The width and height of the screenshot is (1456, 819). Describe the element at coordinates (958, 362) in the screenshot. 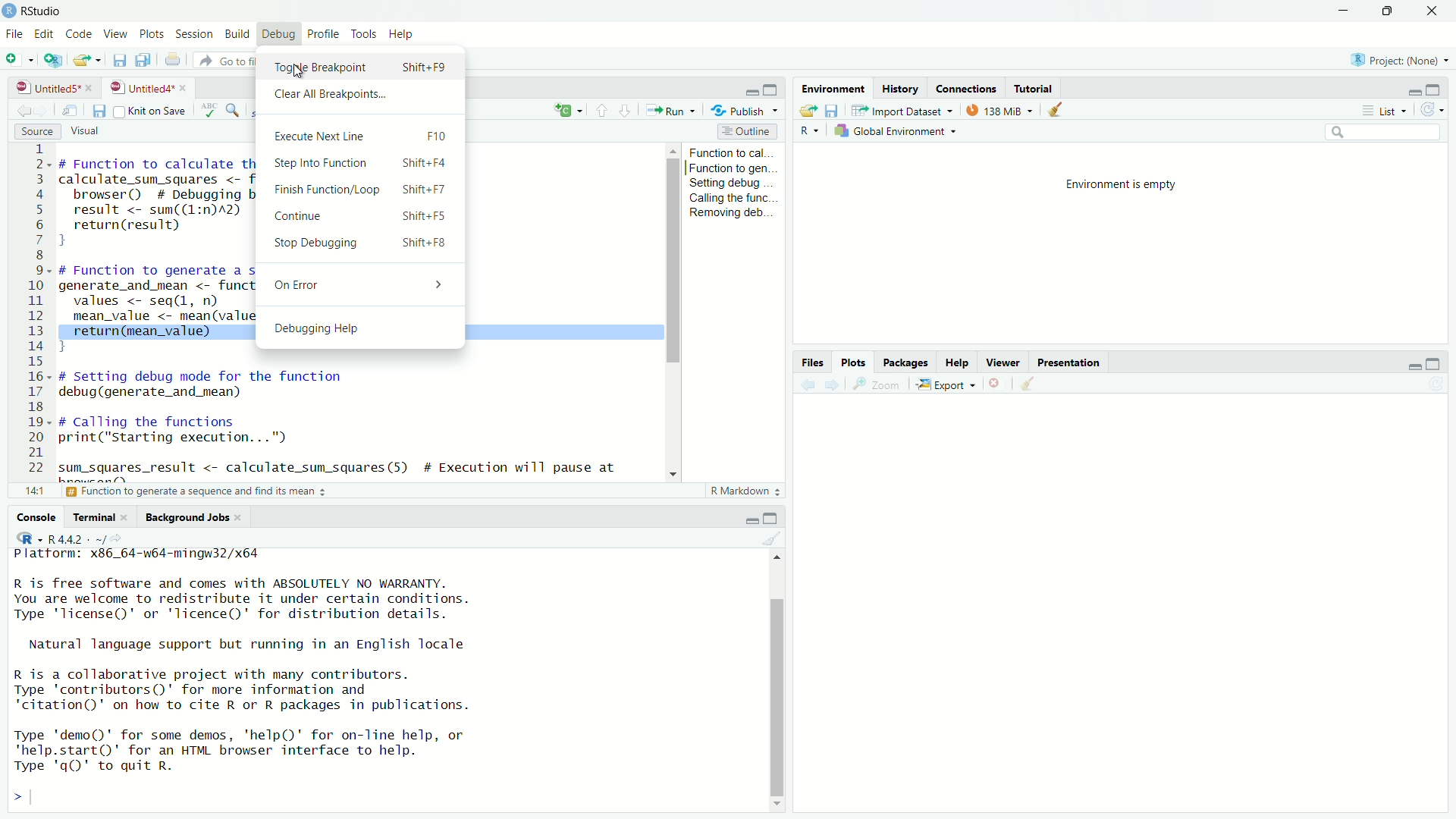

I see `help` at that location.